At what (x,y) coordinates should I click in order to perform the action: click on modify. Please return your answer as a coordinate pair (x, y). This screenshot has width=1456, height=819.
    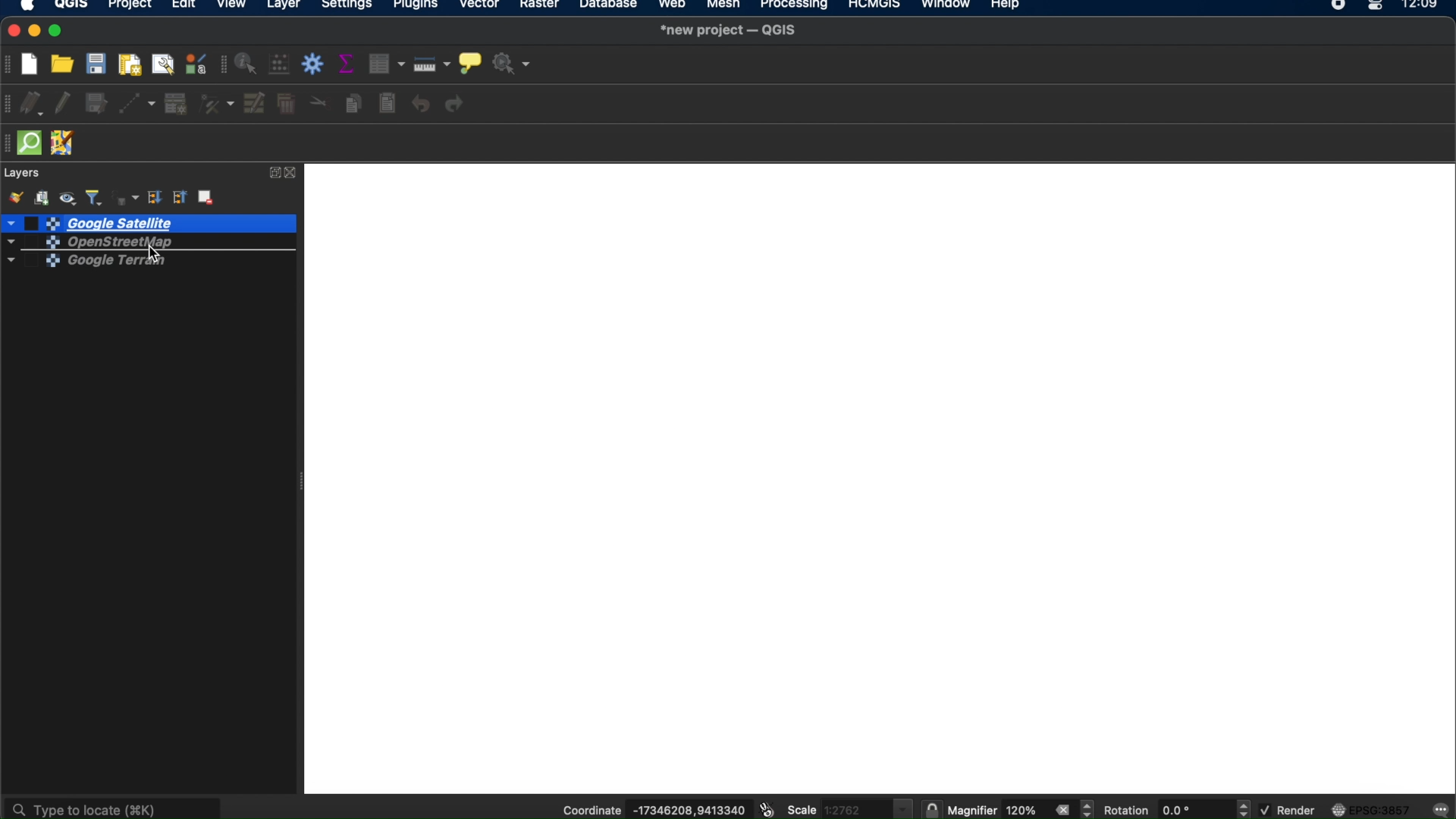
    Looking at the image, I should click on (256, 103).